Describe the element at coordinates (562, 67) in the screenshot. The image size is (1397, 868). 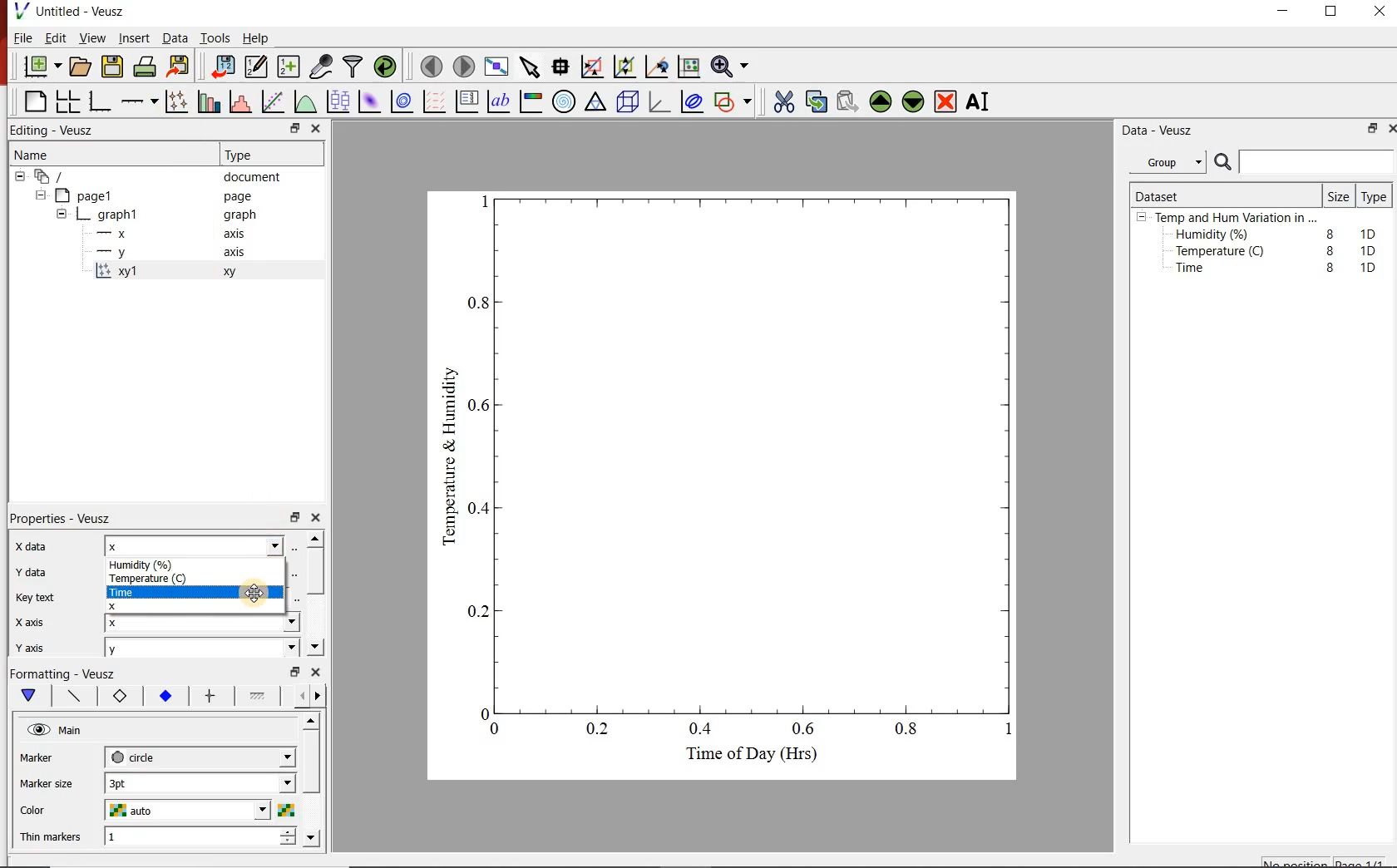
I see `Read data points on the graph` at that location.